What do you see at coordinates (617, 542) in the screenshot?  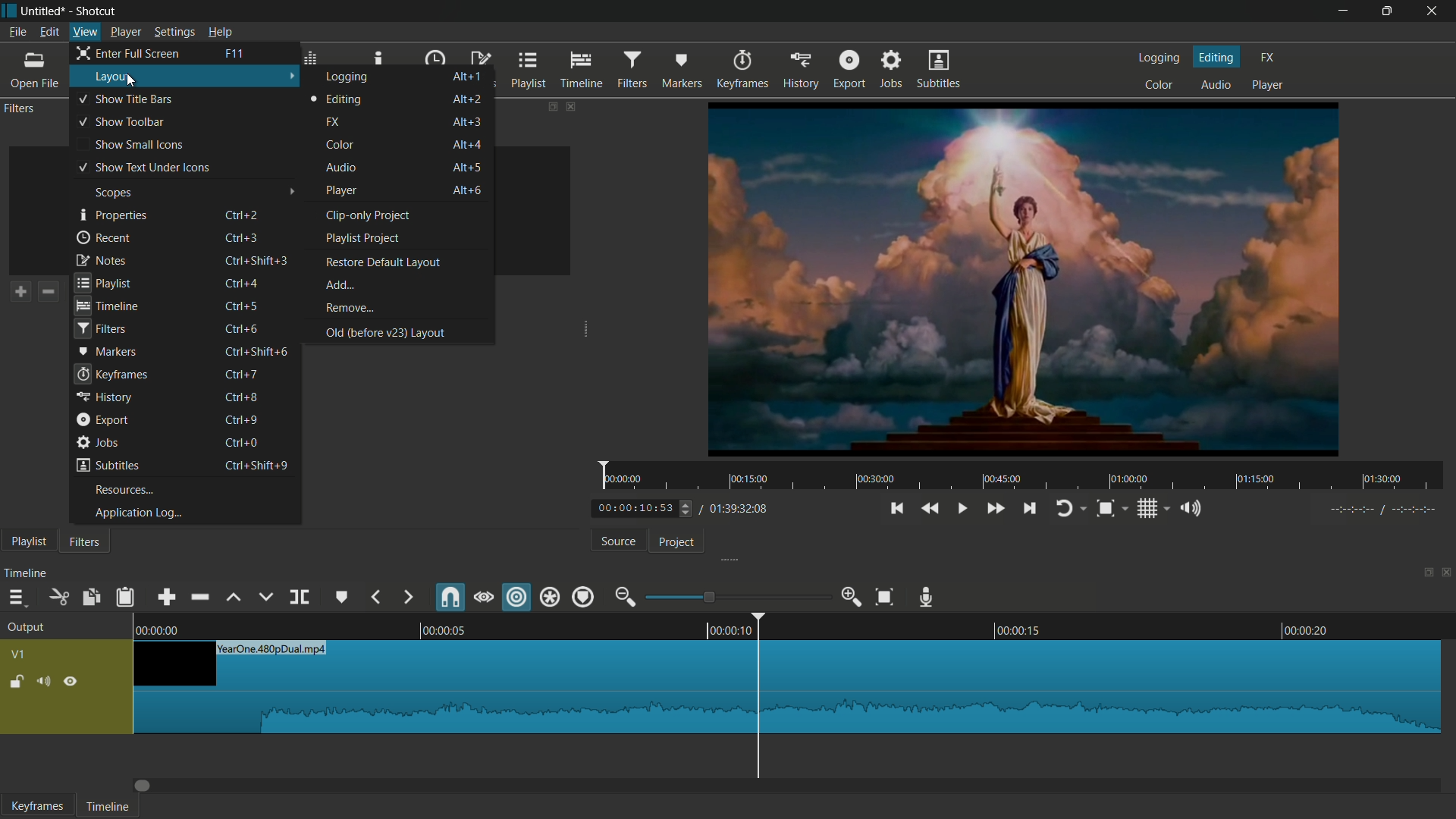 I see `source` at bounding box center [617, 542].